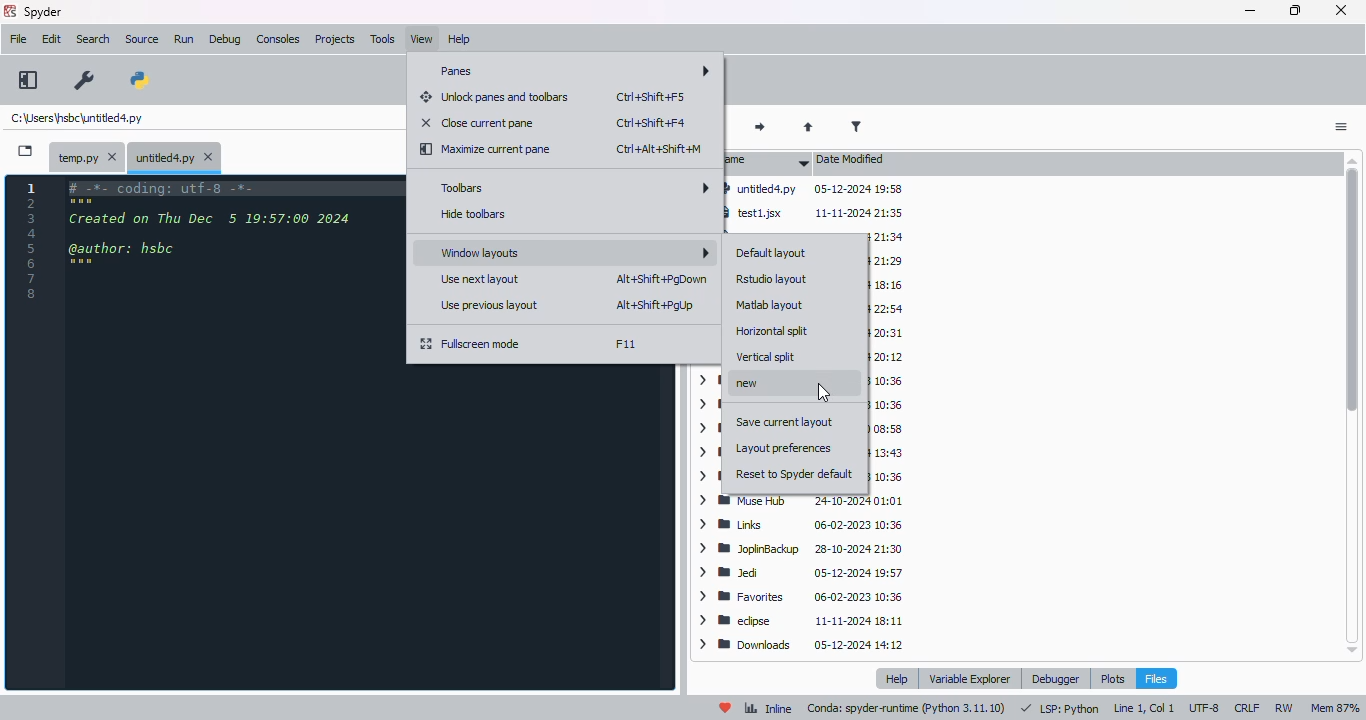  What do you see at coordinates (28, 80) in the screenshot?
I see `maximize current pane` at bounding box center [28, 80].